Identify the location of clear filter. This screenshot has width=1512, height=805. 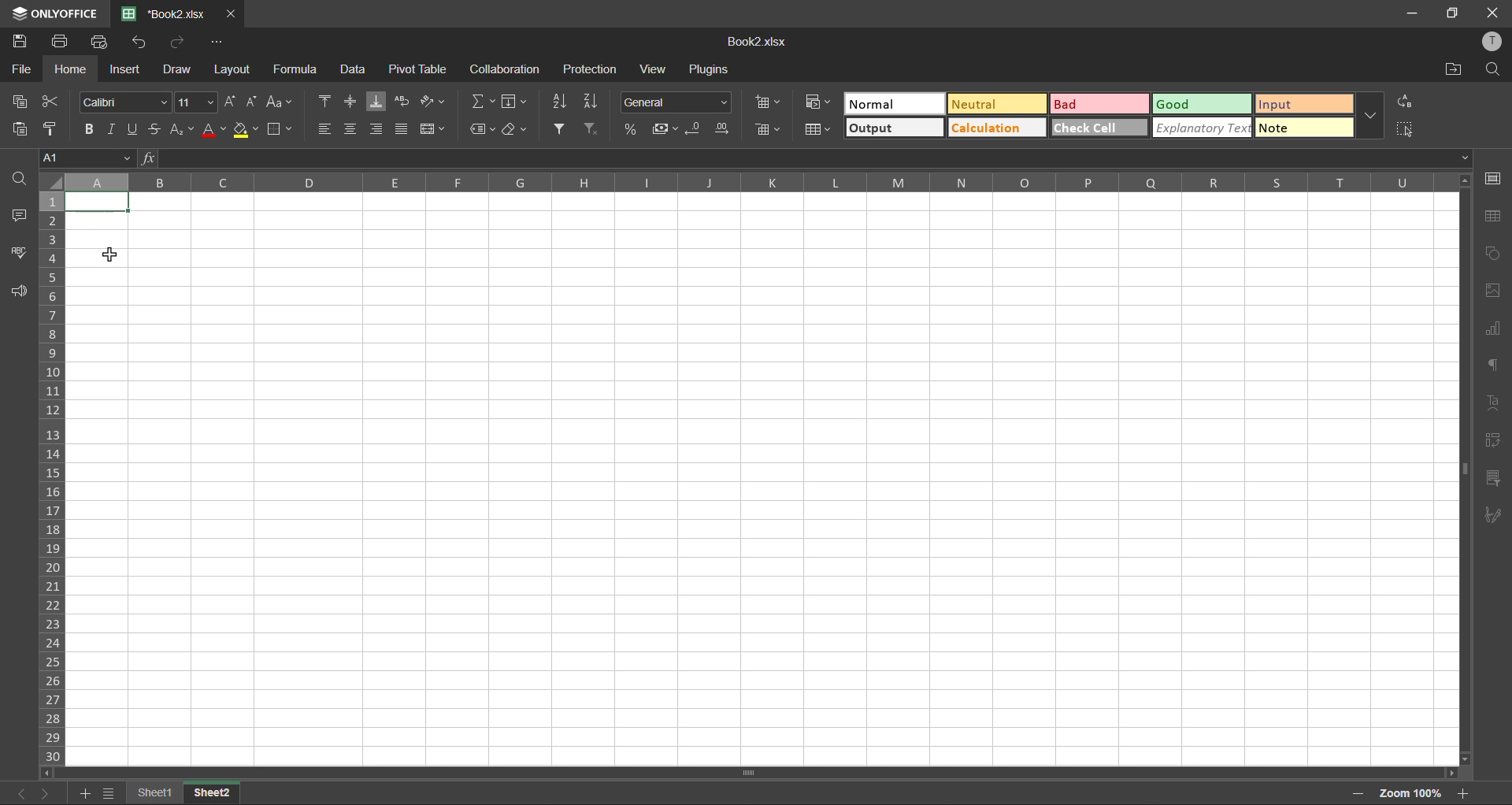
(592, 127).